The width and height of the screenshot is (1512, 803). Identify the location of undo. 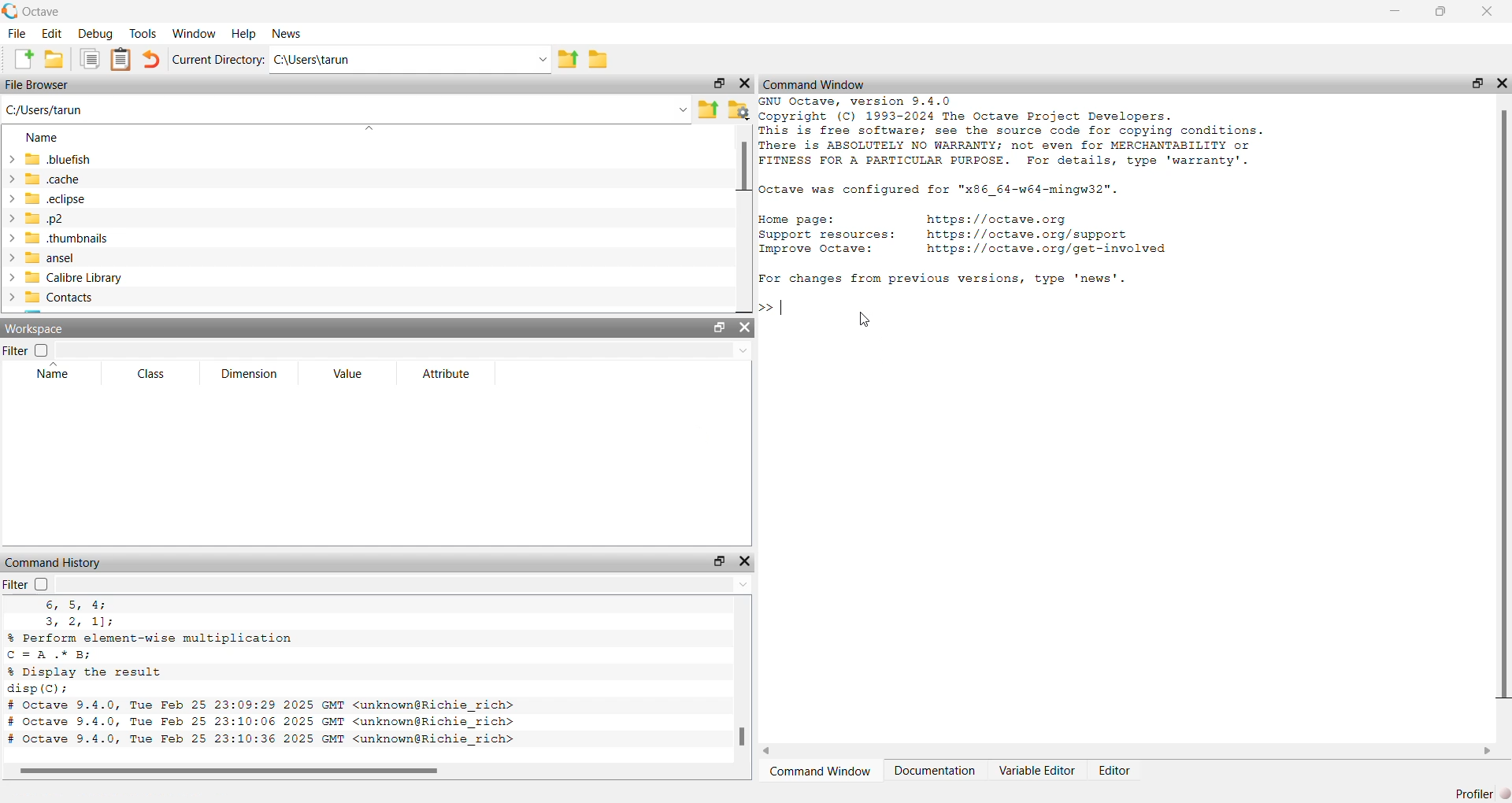
(151, 60).